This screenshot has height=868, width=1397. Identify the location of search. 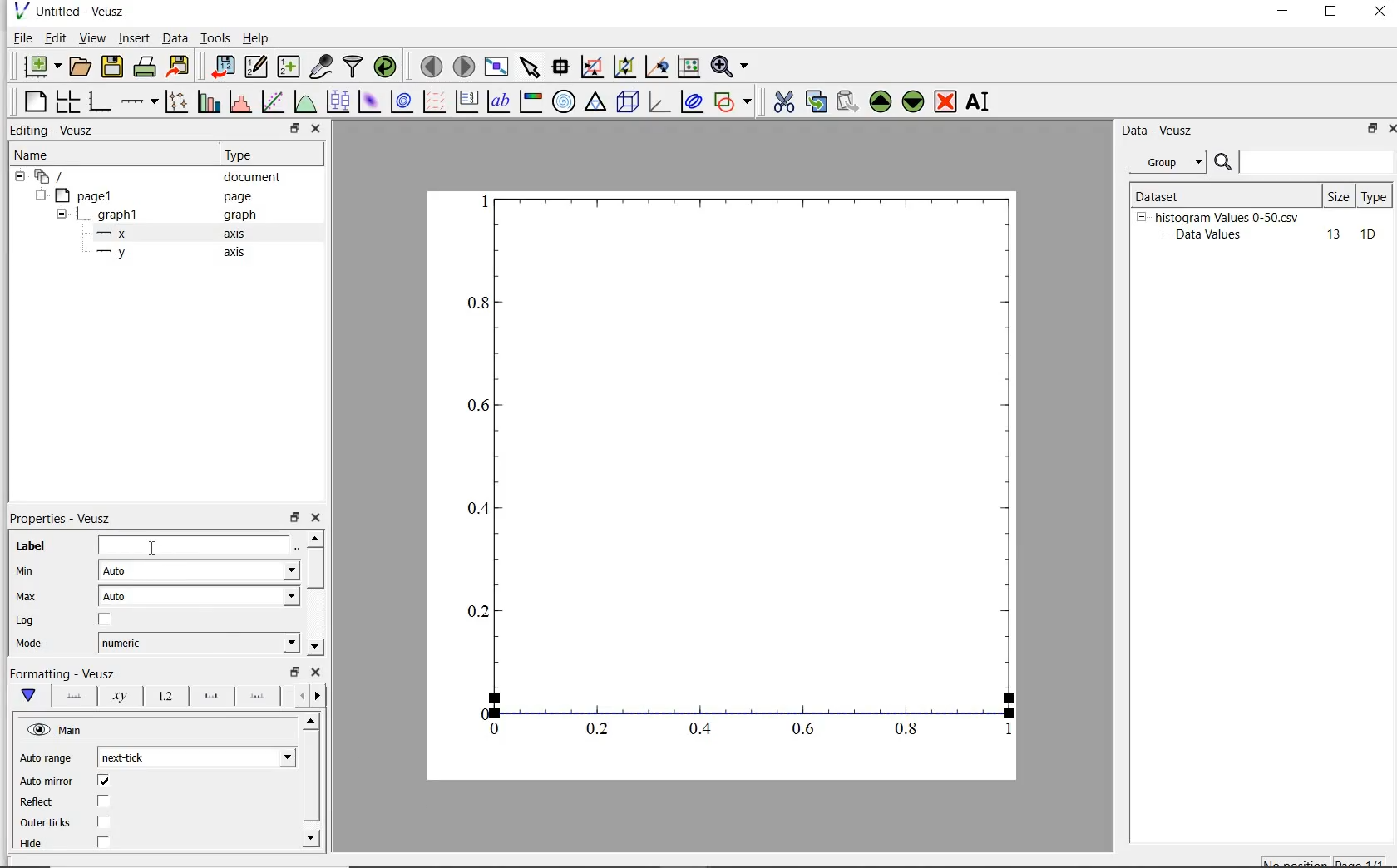
(1224, 163).